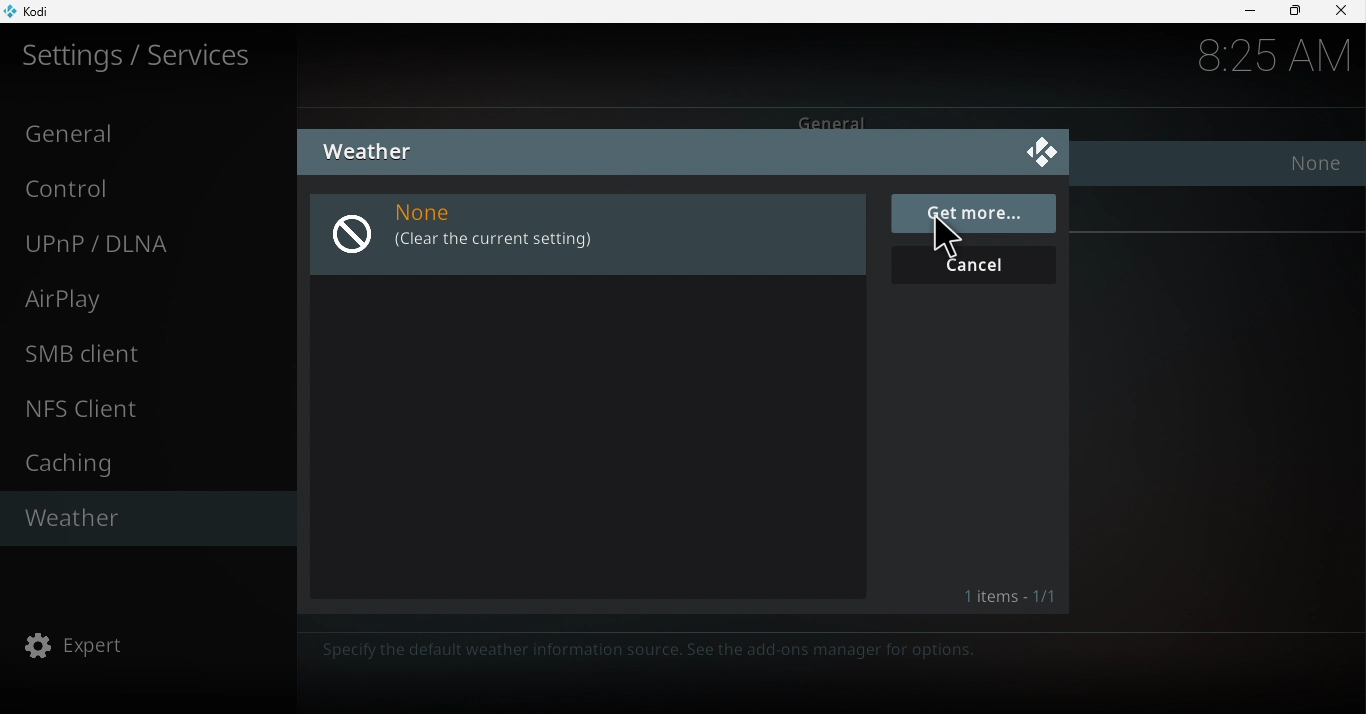 This screenshot has height=714, width=1366. I want to click on Expert, so click(145, 642).